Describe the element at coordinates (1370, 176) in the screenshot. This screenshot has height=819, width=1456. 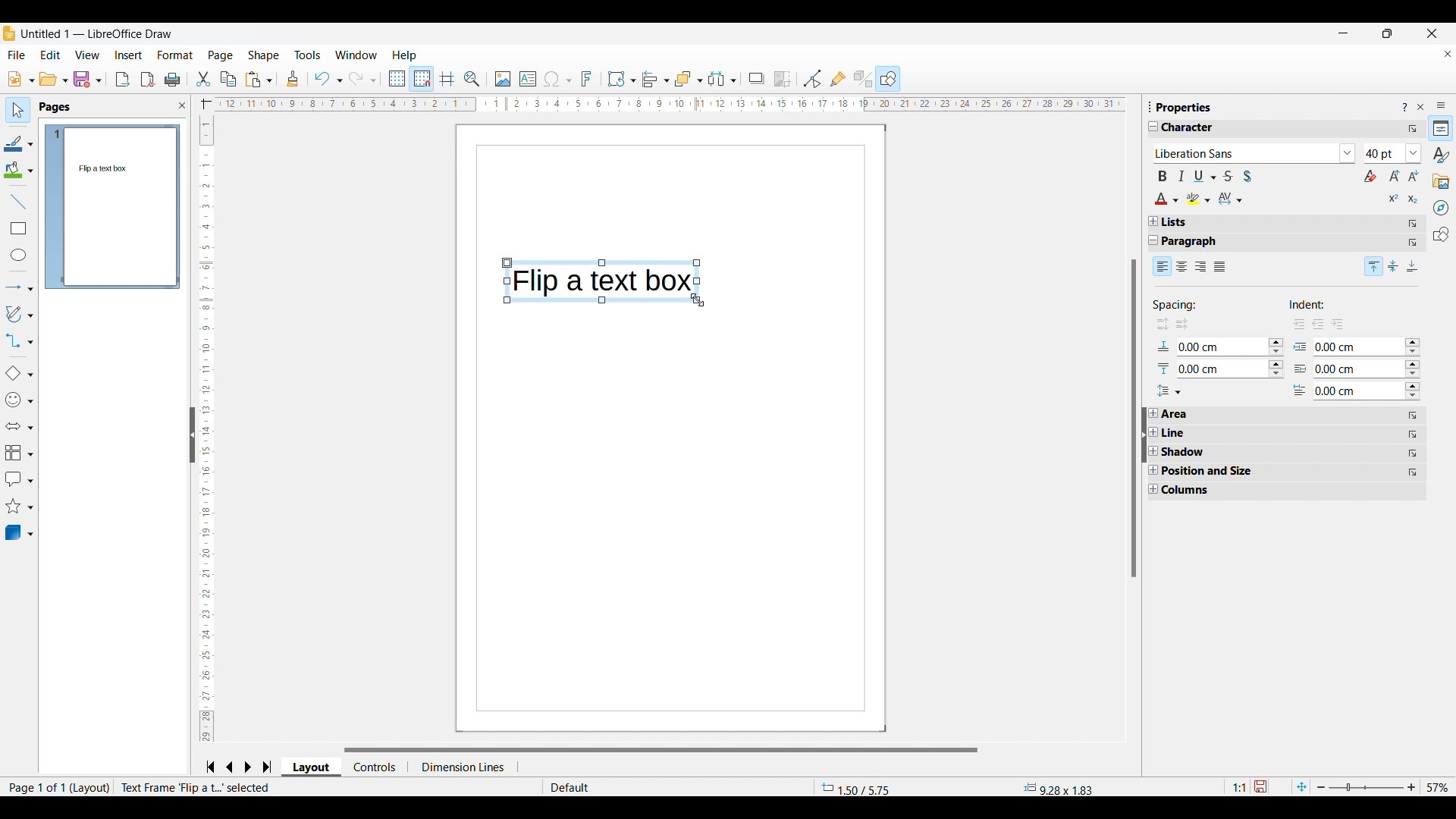
I see `Clear direct formating ` at that location.